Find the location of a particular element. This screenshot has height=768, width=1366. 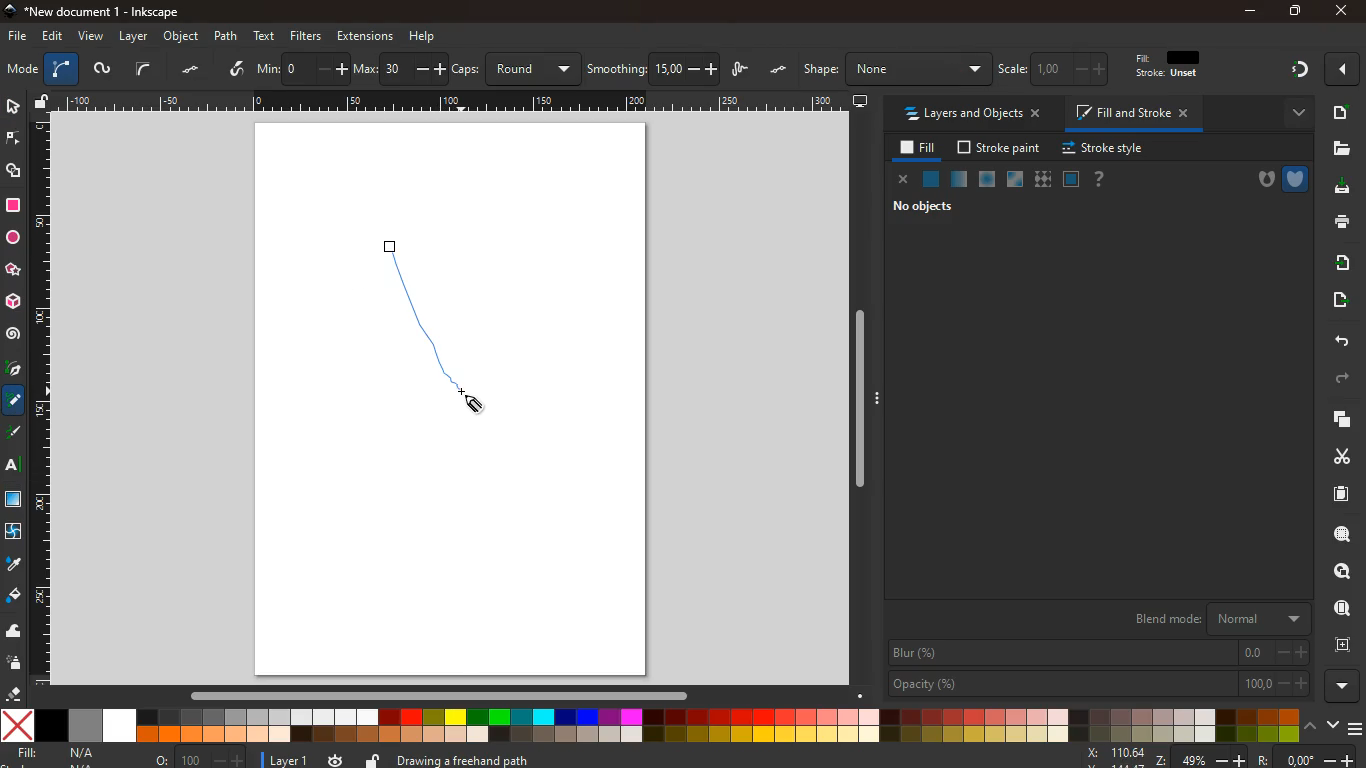

dots is located at coordinates (780, 70).